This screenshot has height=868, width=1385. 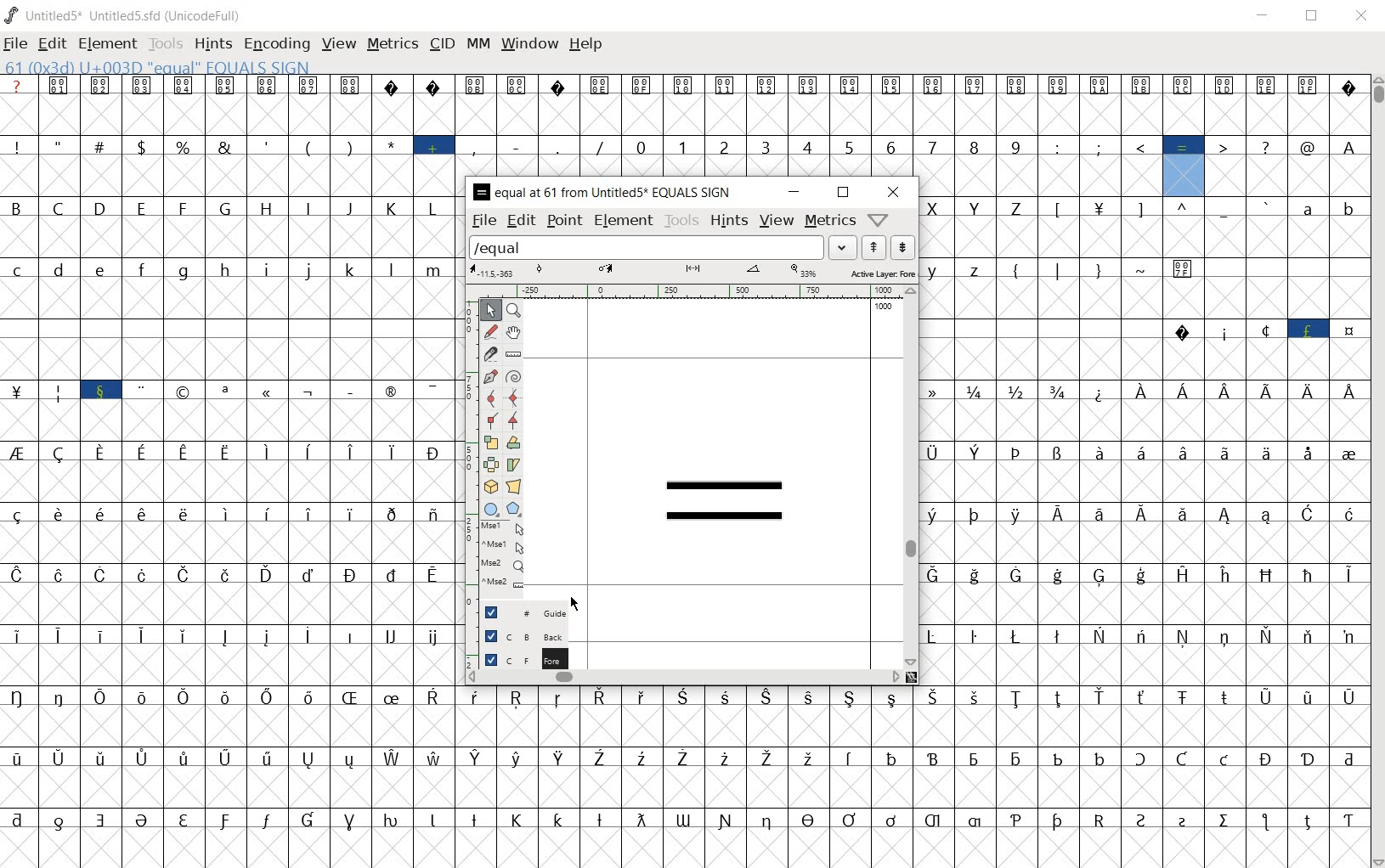 I want to click on metrics, so click(x=828, y=221).